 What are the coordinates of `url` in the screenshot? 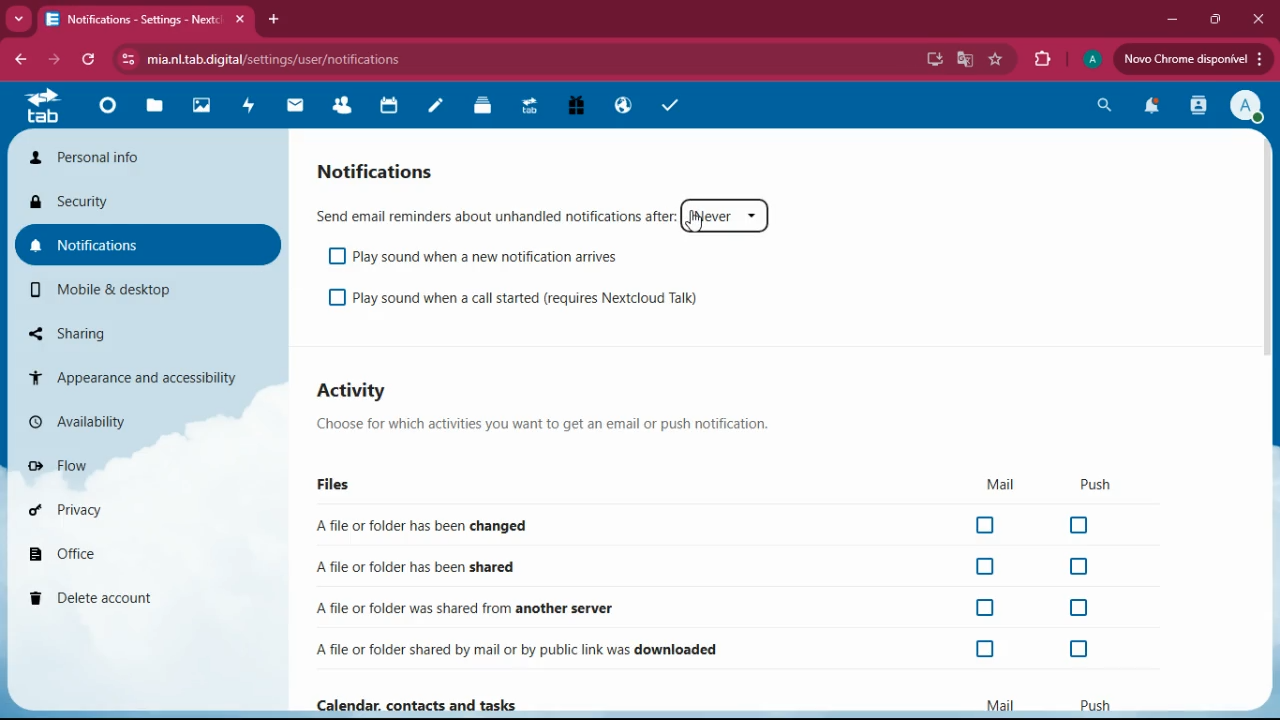 It's located at (264, 57).